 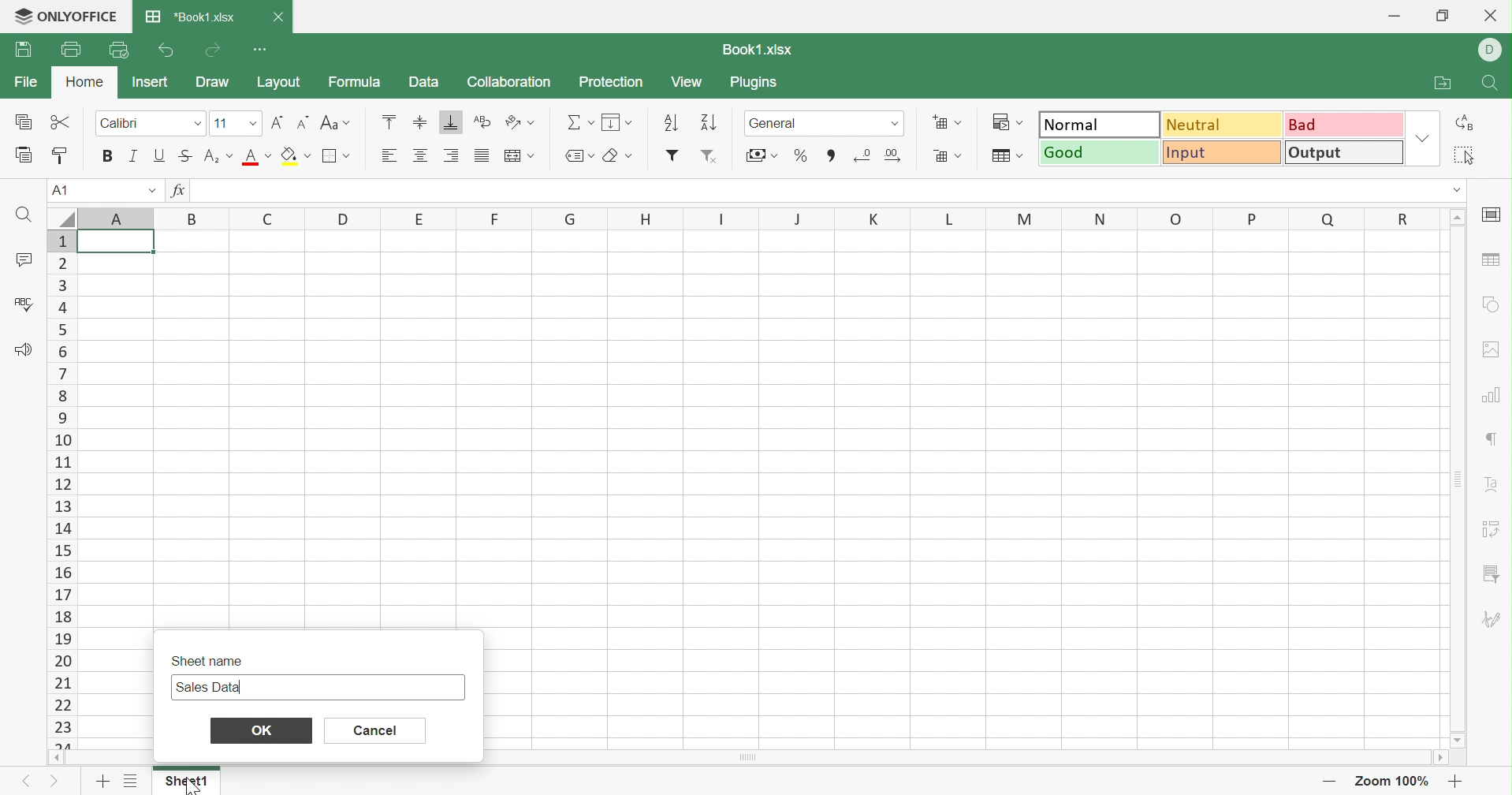 I want to click on Drop Down, so click(x=1454, y=192).